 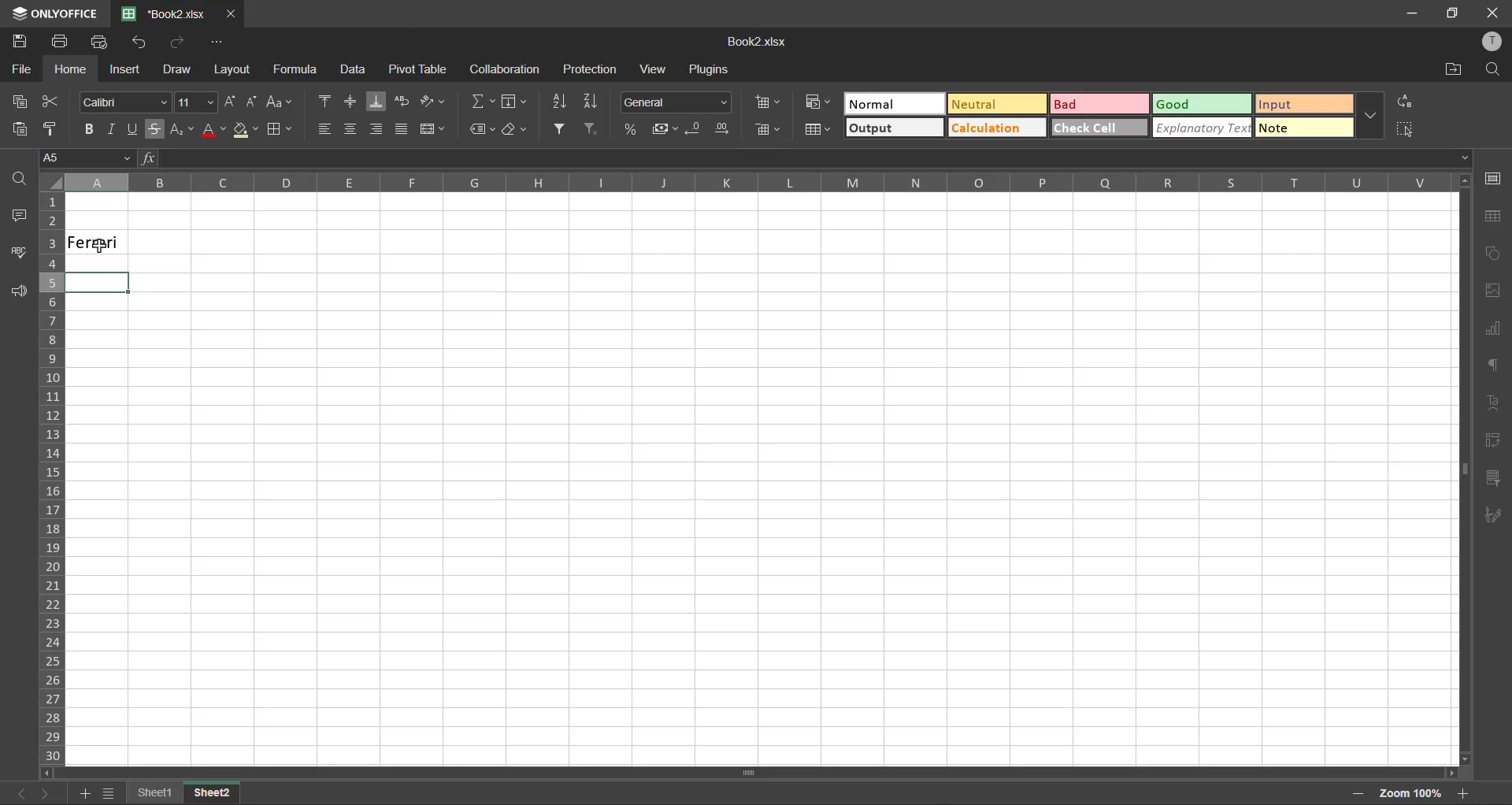 I want to click on find, so click(x=1498, y=69).